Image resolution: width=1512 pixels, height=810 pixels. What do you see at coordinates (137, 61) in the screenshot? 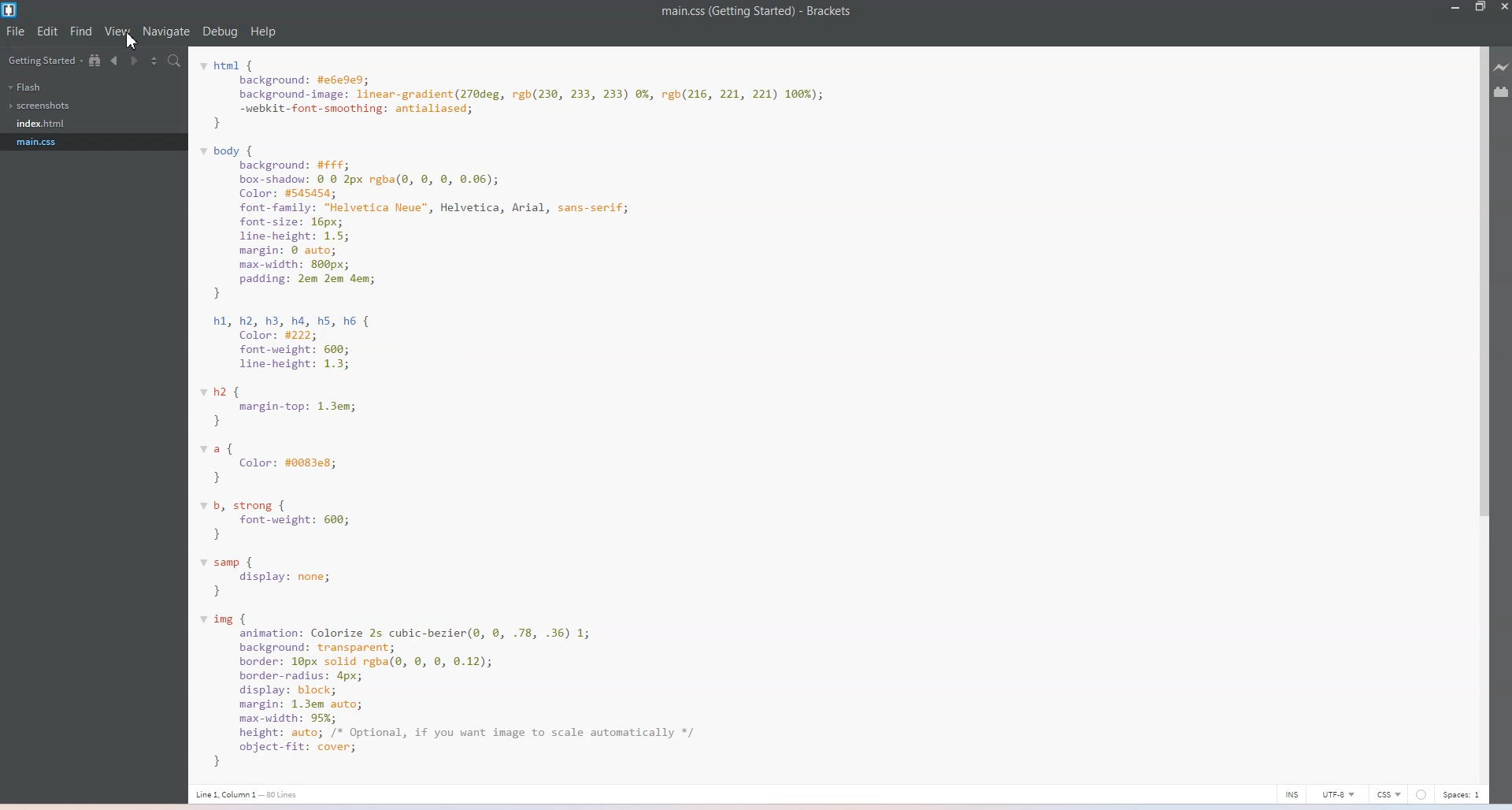
I see `Navigate Forward` at bounding box center [137, 61].